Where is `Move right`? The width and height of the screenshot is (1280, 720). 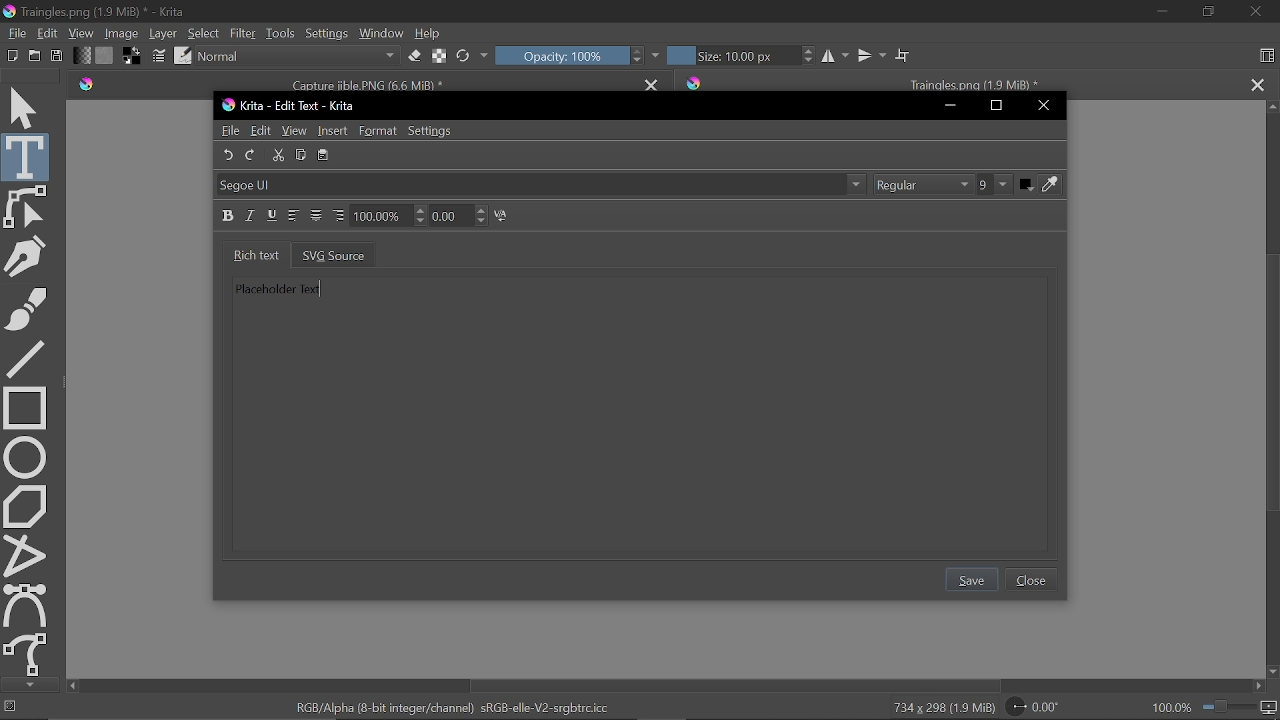 Move right is located at coordinates (1261, 687).